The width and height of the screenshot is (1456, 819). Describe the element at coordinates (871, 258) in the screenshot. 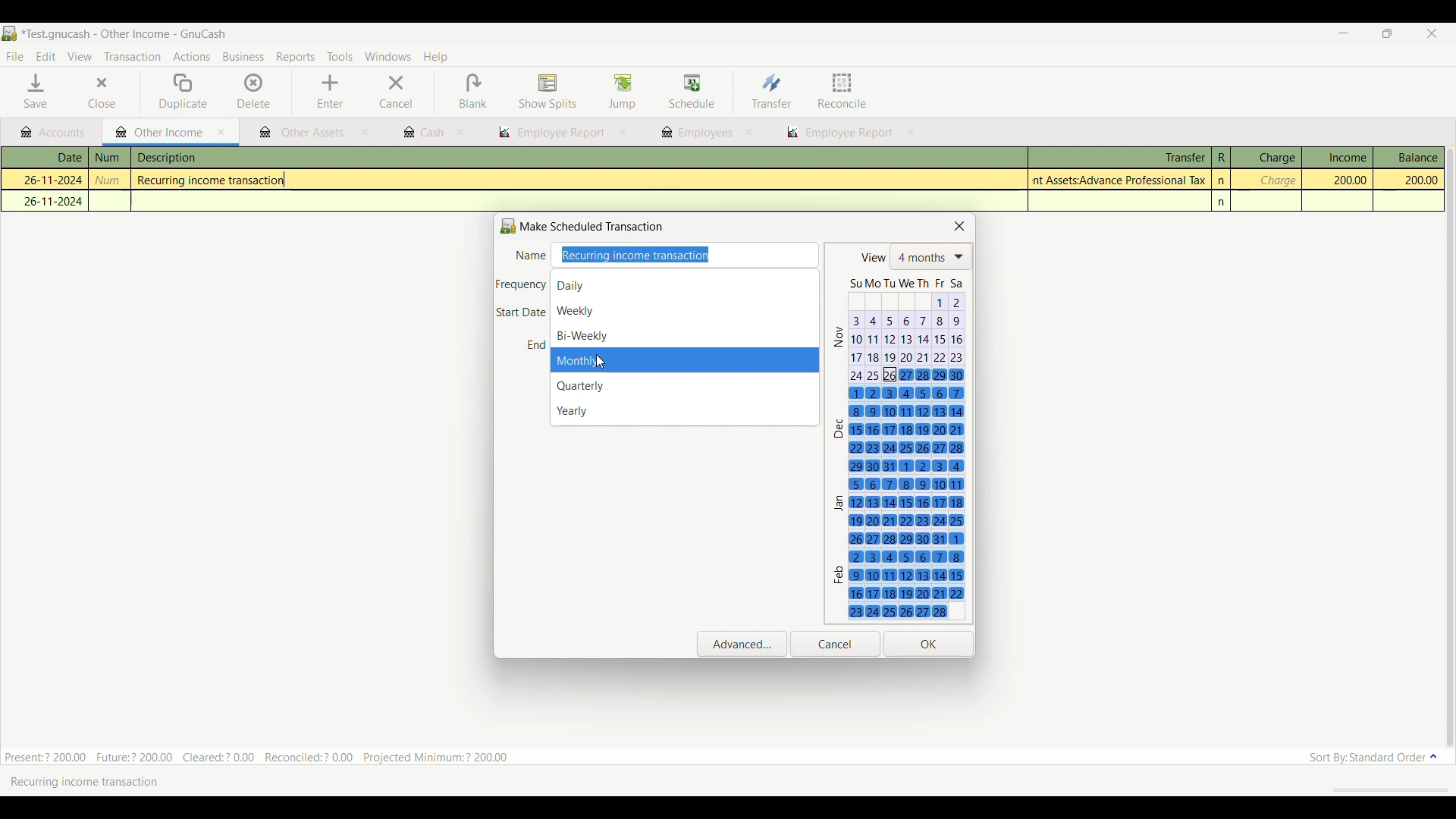

I see `view` at that location.